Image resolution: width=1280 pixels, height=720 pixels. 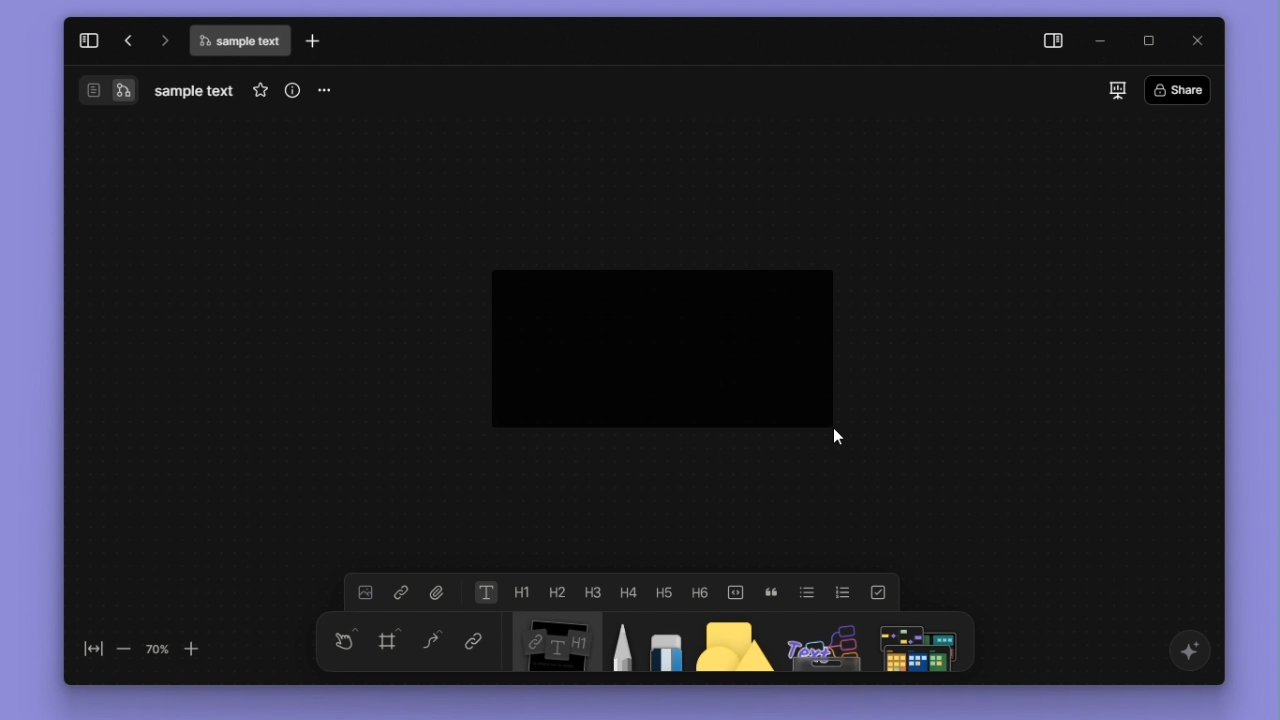 What do you see at coordinates (194, 91) in the screenshot?
I see `file name` at bounding box center [194, 91].